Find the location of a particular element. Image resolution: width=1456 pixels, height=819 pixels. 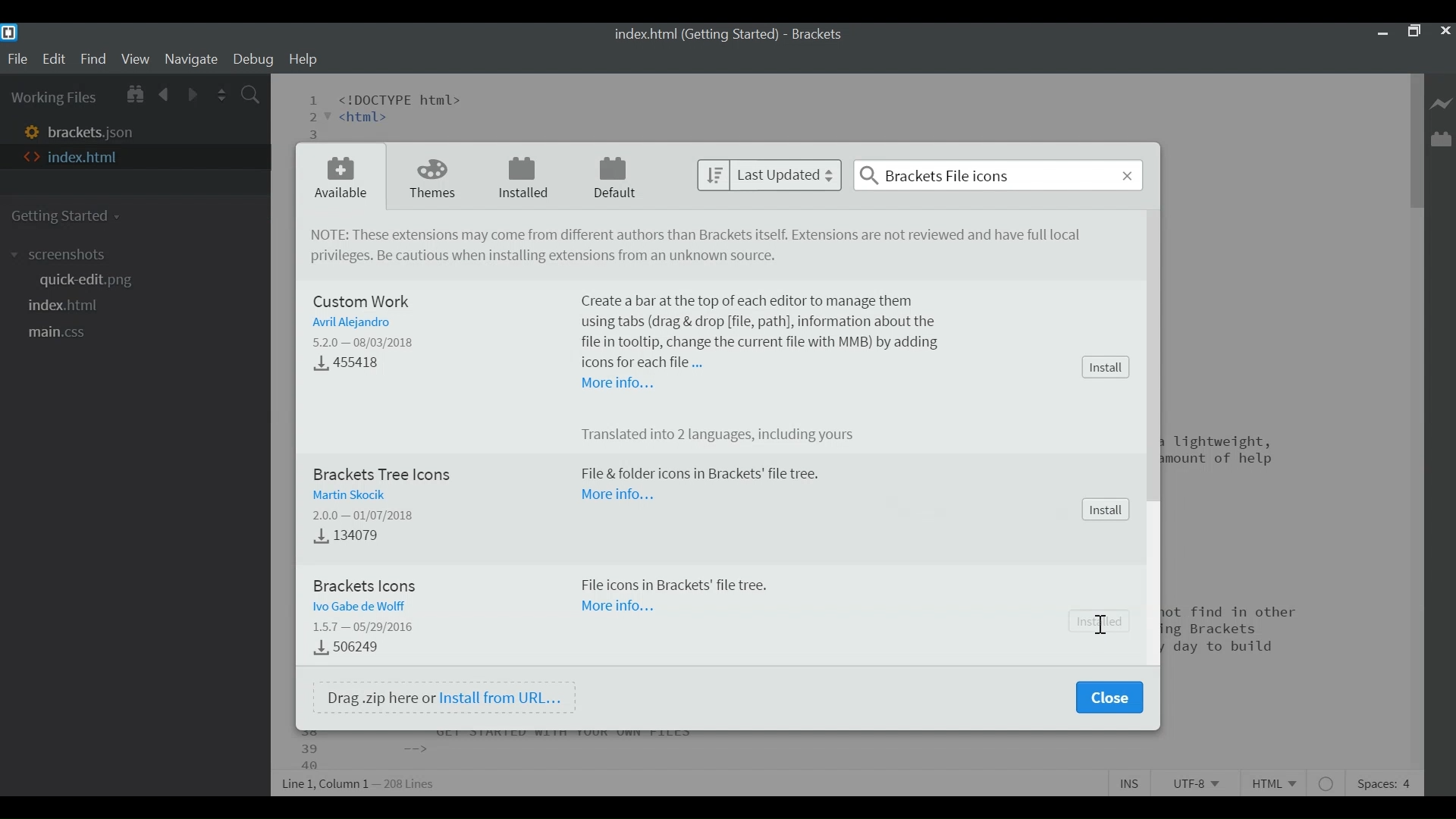

Installed is located at coordinates (522, 178).